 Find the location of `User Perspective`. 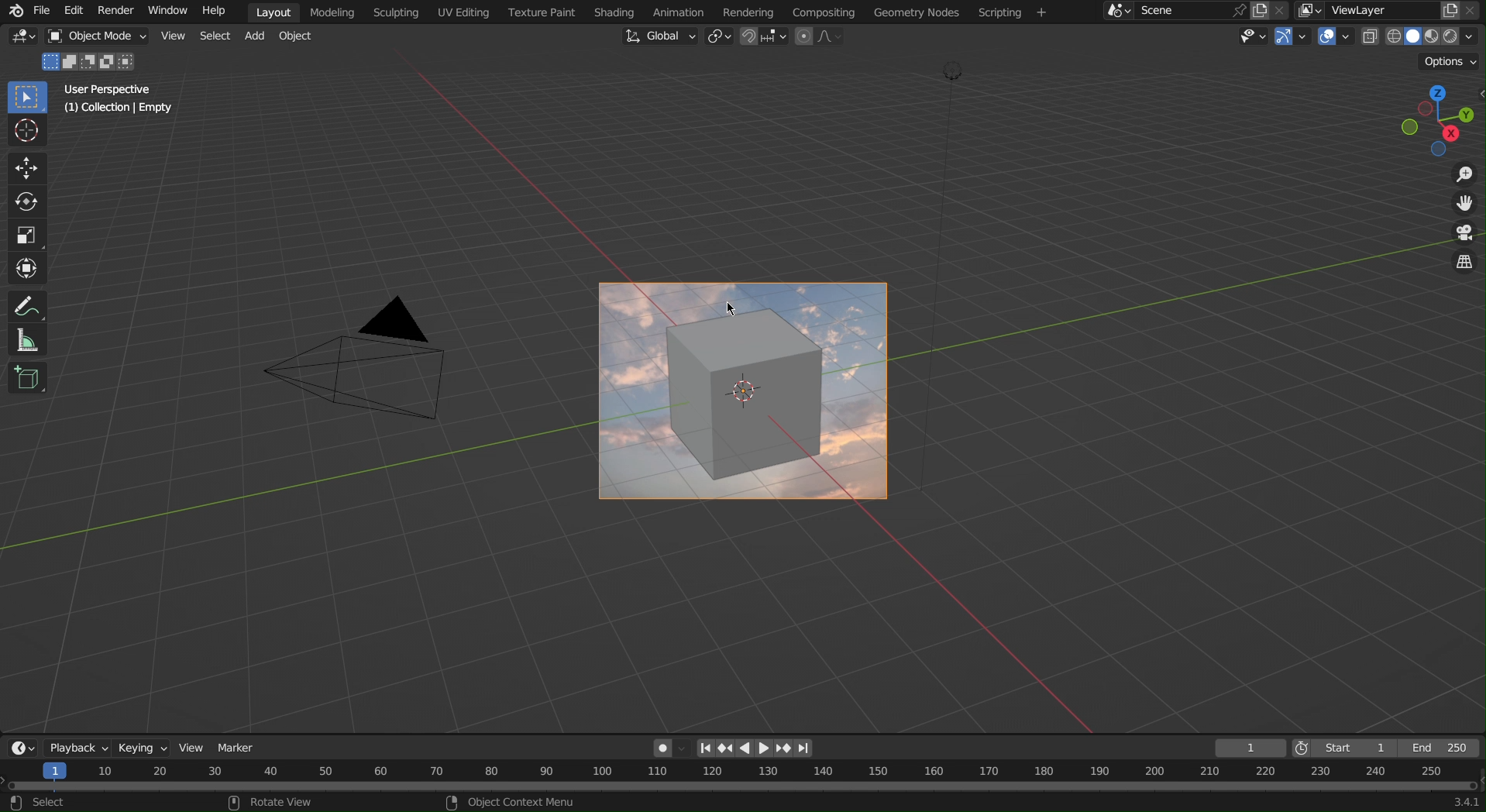

User Perspective is located at coordinates (110, 89).